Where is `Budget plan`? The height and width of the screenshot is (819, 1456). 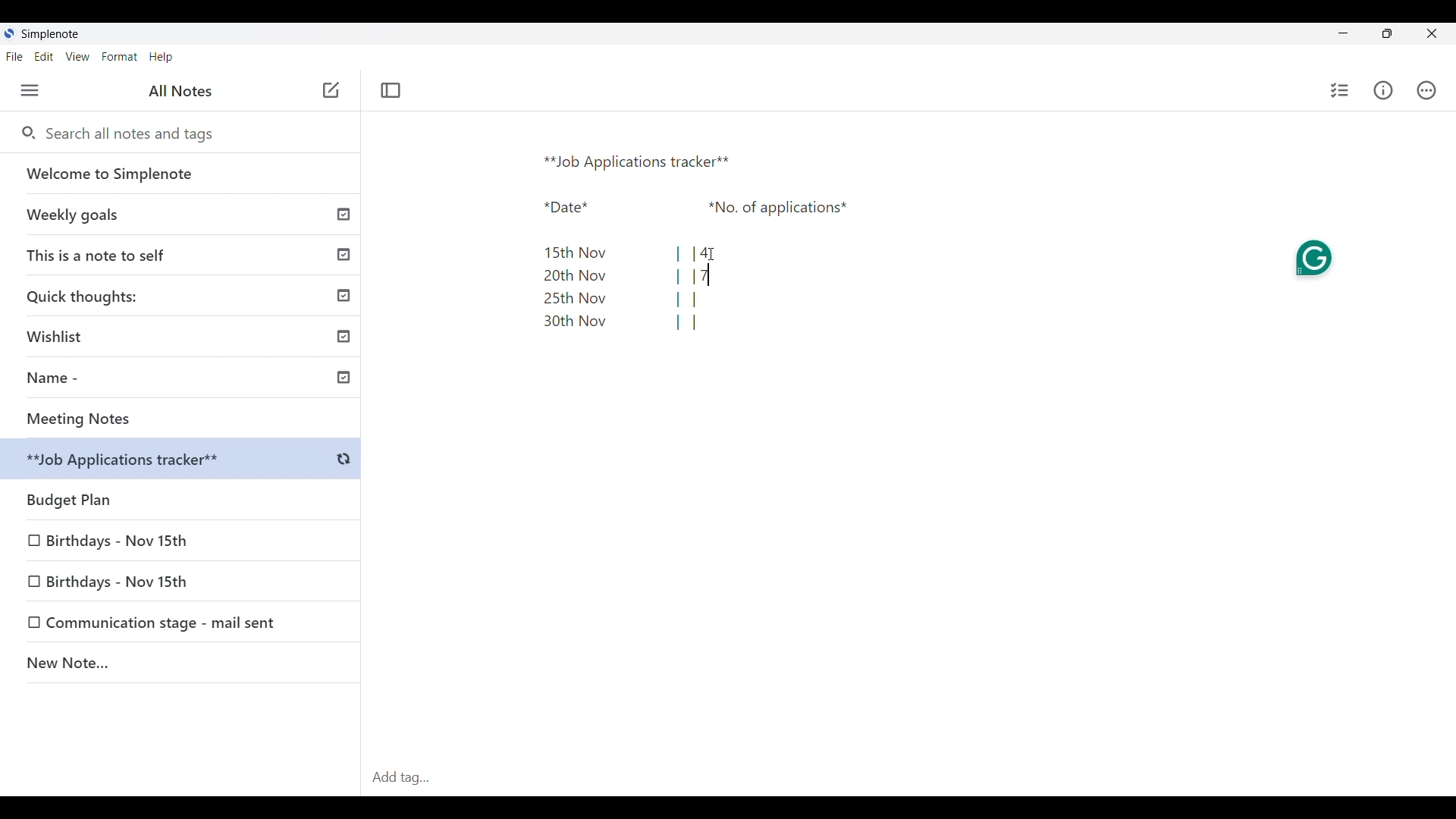 Budget plan is located at coordinates (182, 496).